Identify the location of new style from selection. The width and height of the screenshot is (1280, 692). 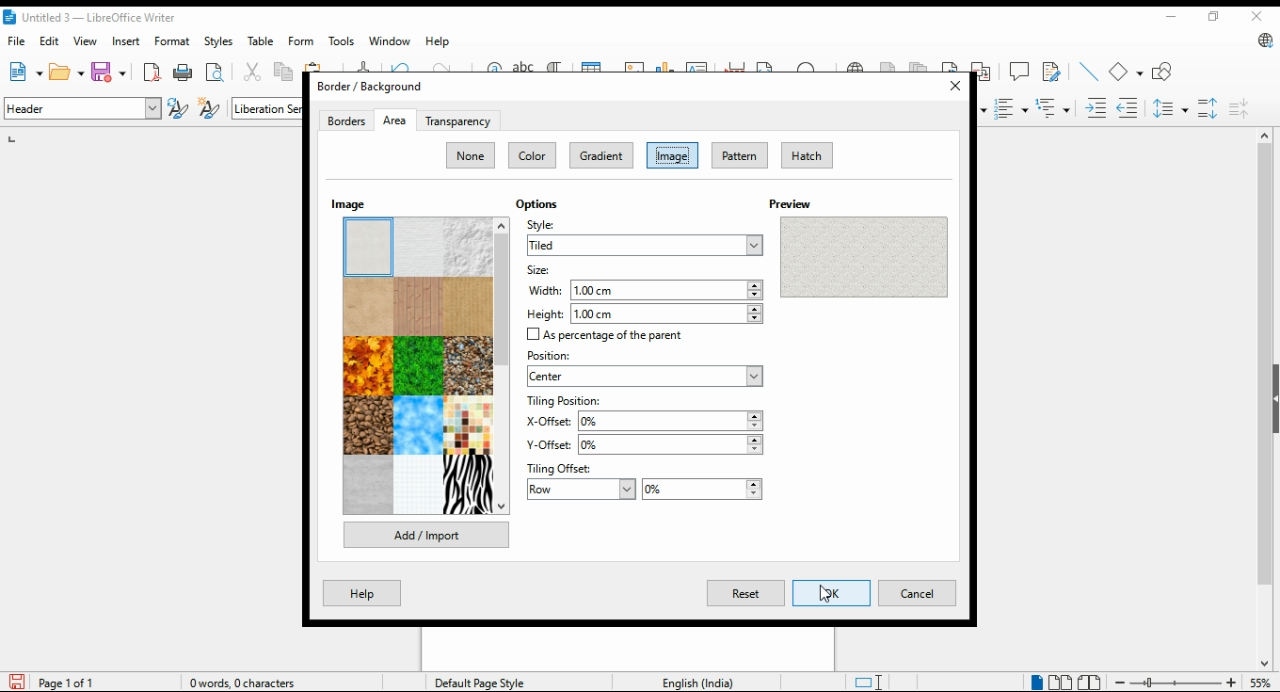
(212, 109).